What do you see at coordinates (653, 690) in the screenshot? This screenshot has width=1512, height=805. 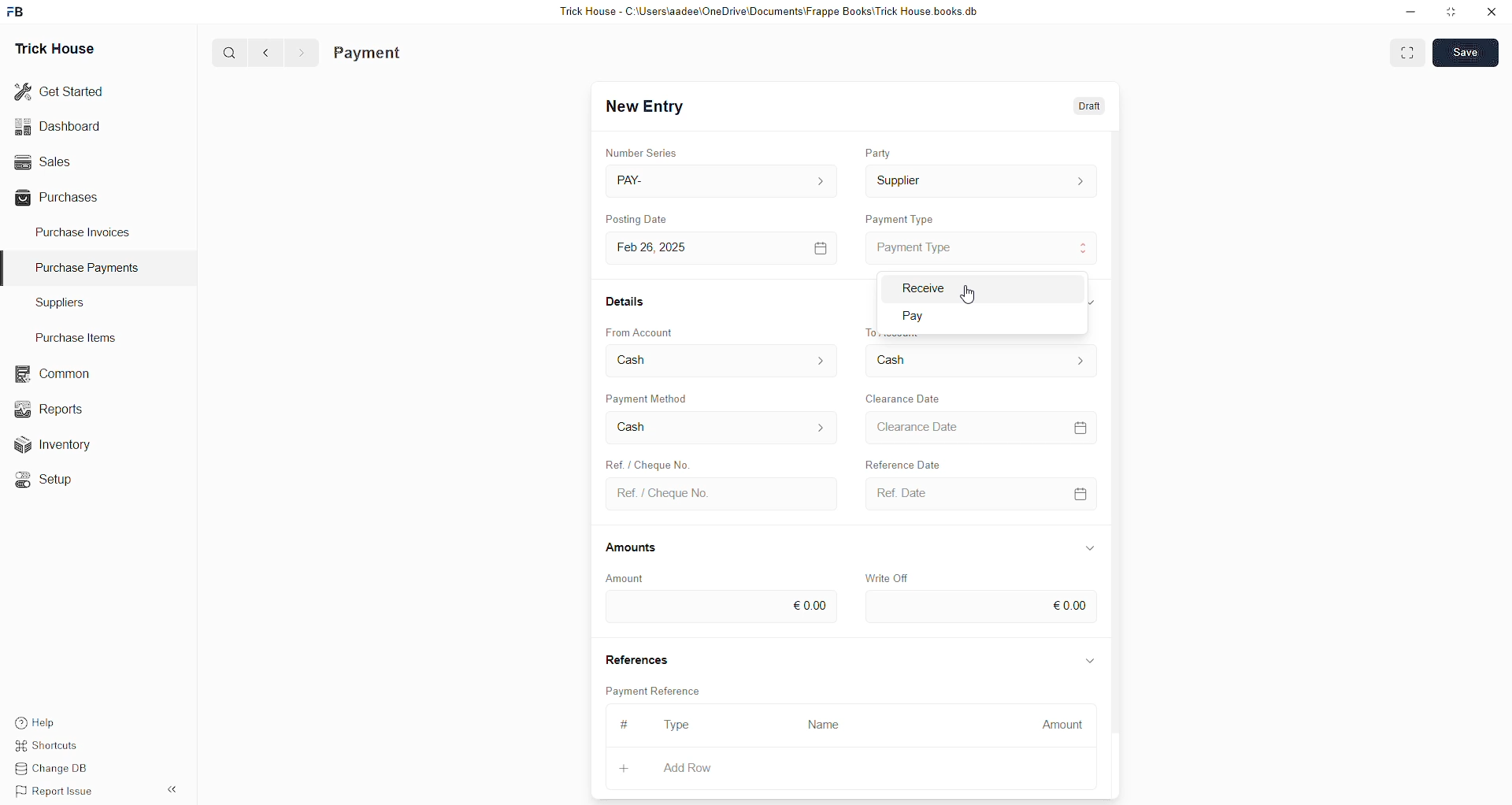 I see `Payment Reference` at bounding box center [653, 690].